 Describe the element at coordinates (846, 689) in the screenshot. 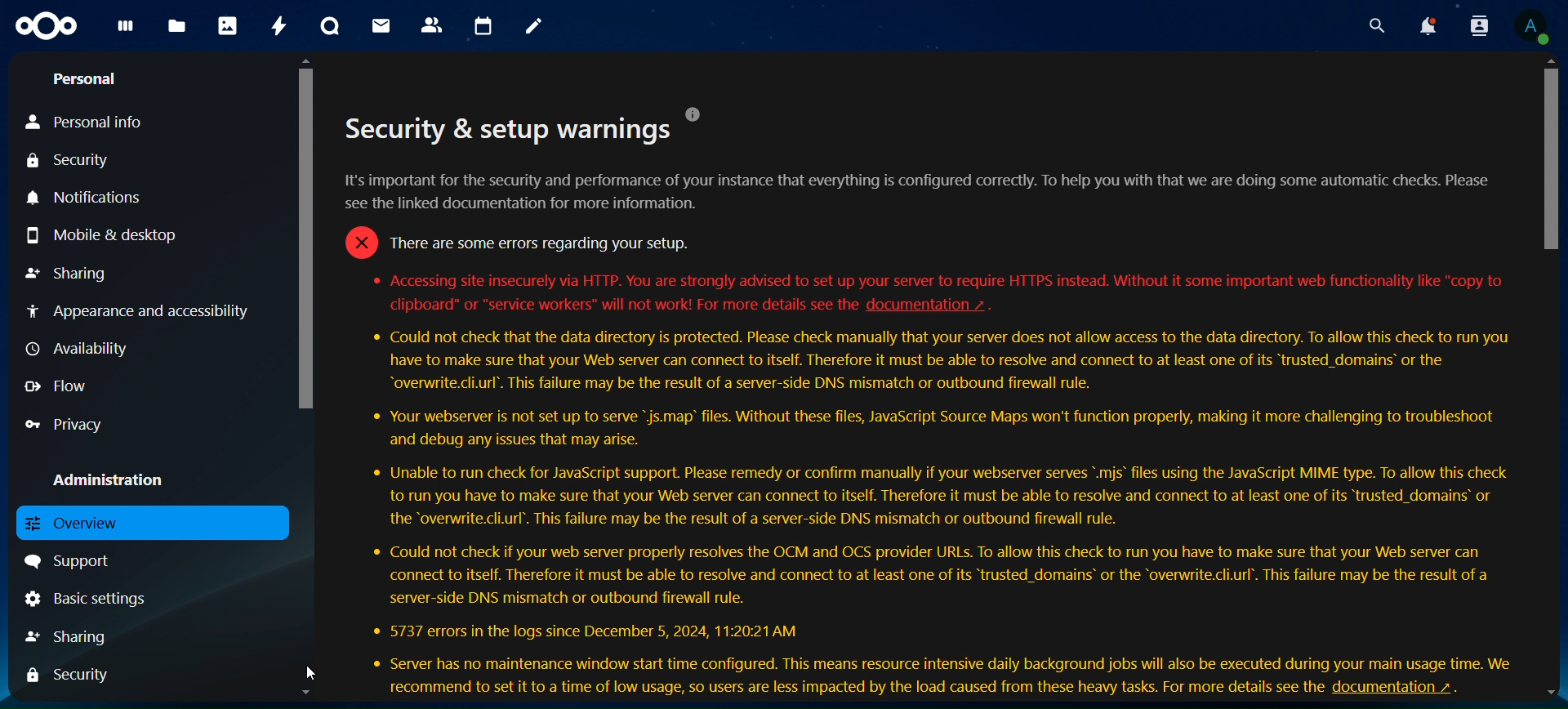

I see `text` at that location.